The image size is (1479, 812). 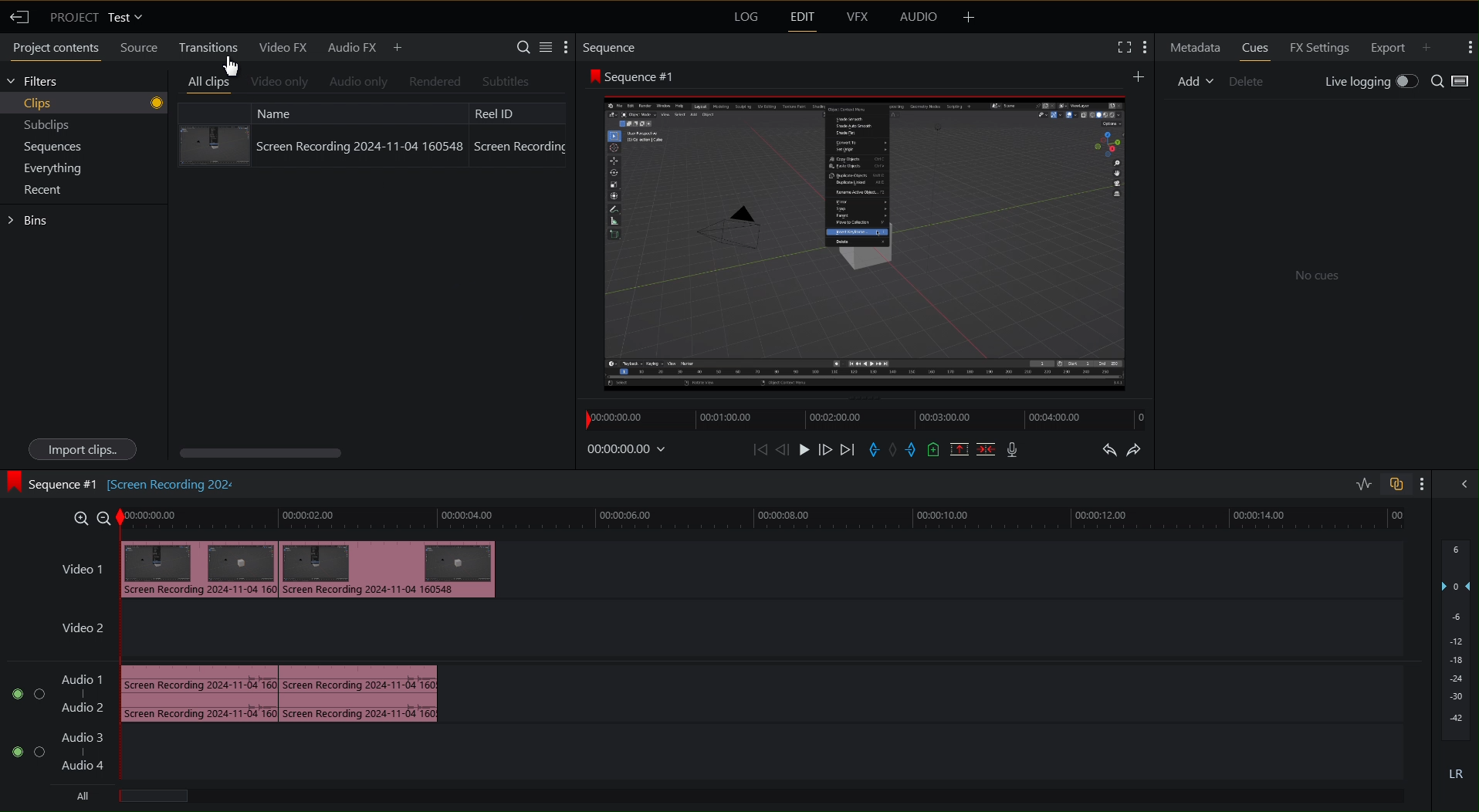 What do you see at coordinates (285, 46) in the screenshot?
I see `Video FX` at bounding box center [285, 46].